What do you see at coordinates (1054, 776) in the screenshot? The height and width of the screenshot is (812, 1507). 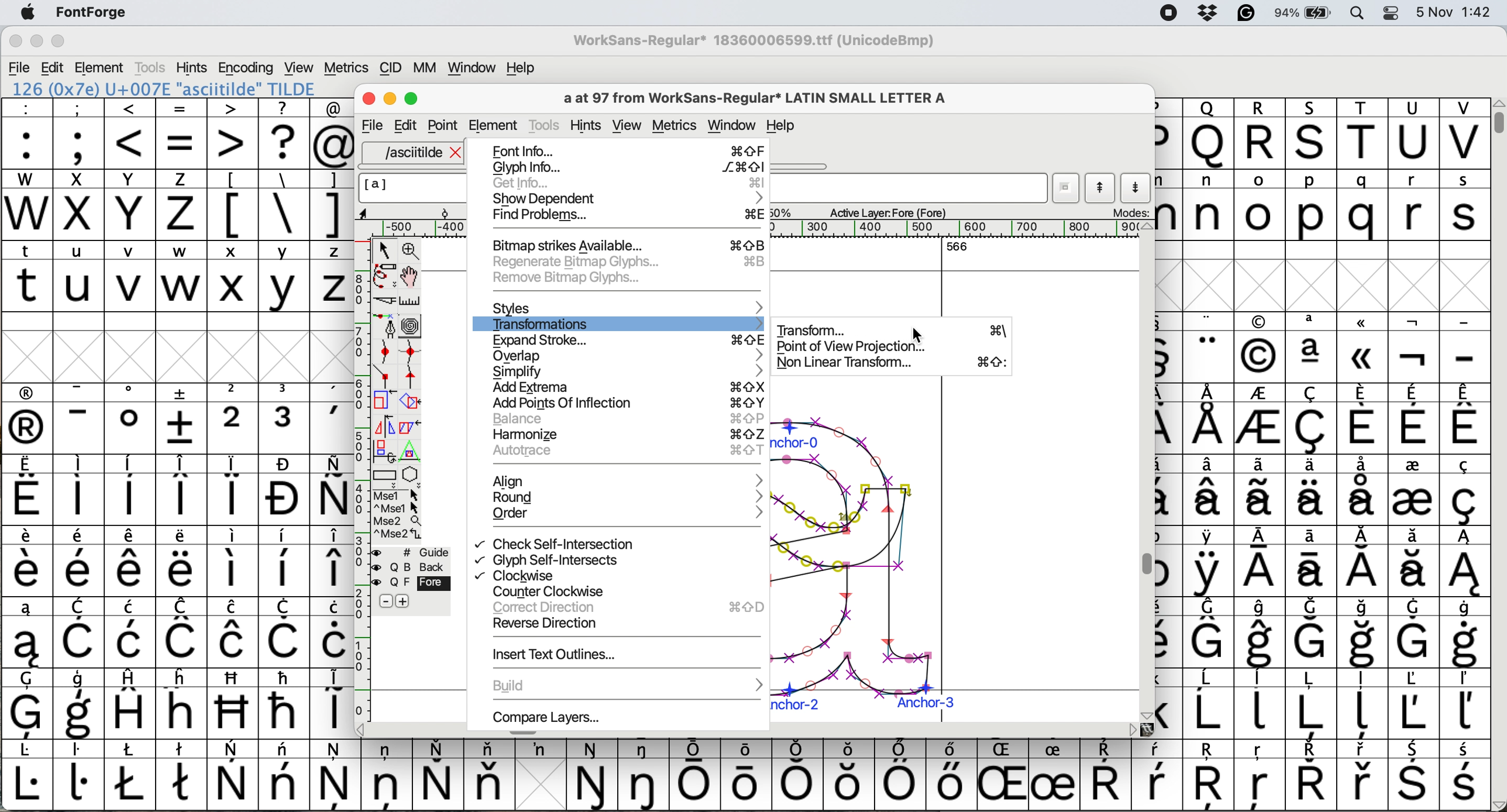 I see `symbol` at bounding box center [1054, 776].